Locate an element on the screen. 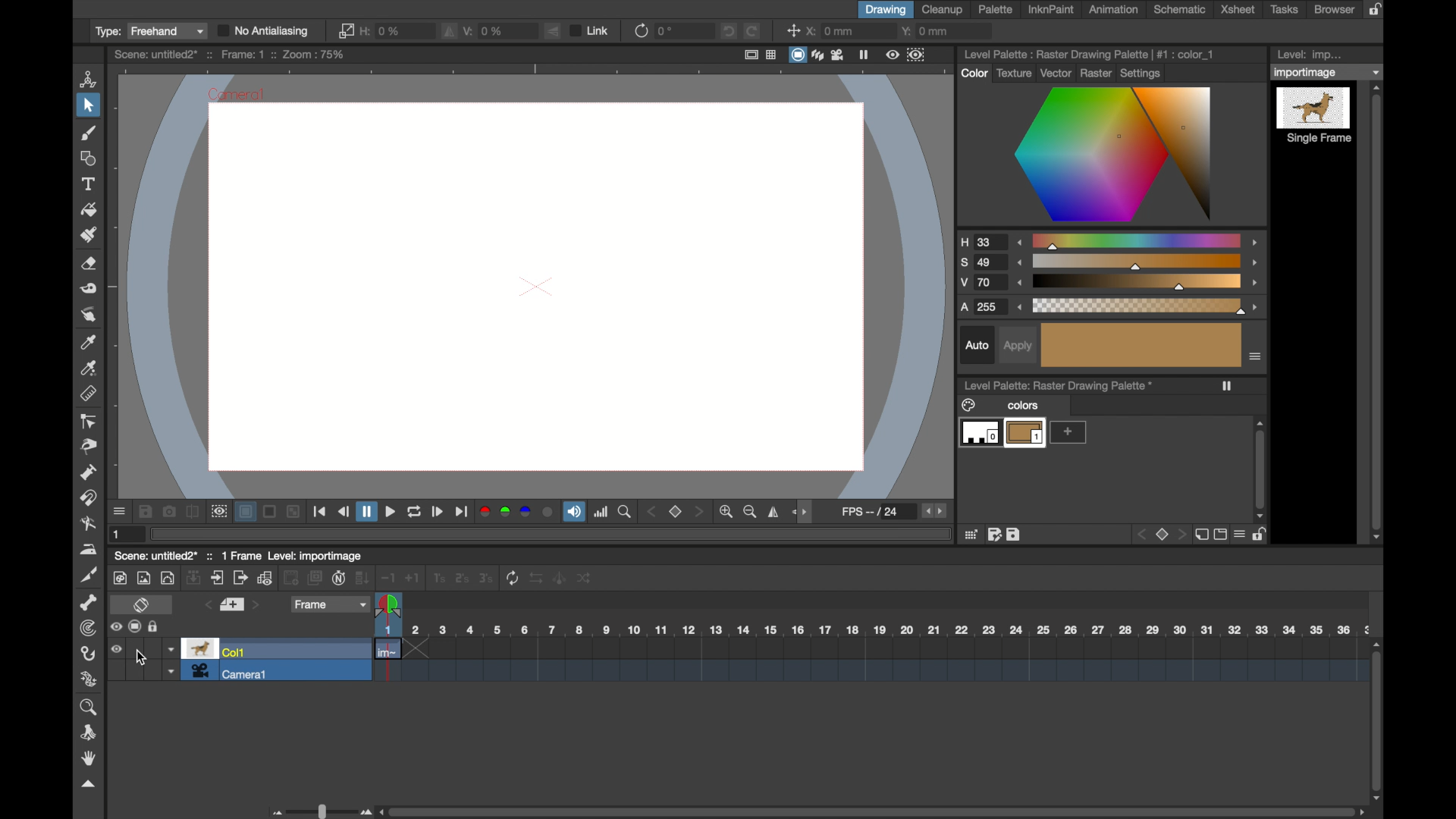 The image size is (1456, 819). cursor is located at coordinates (141, 657).